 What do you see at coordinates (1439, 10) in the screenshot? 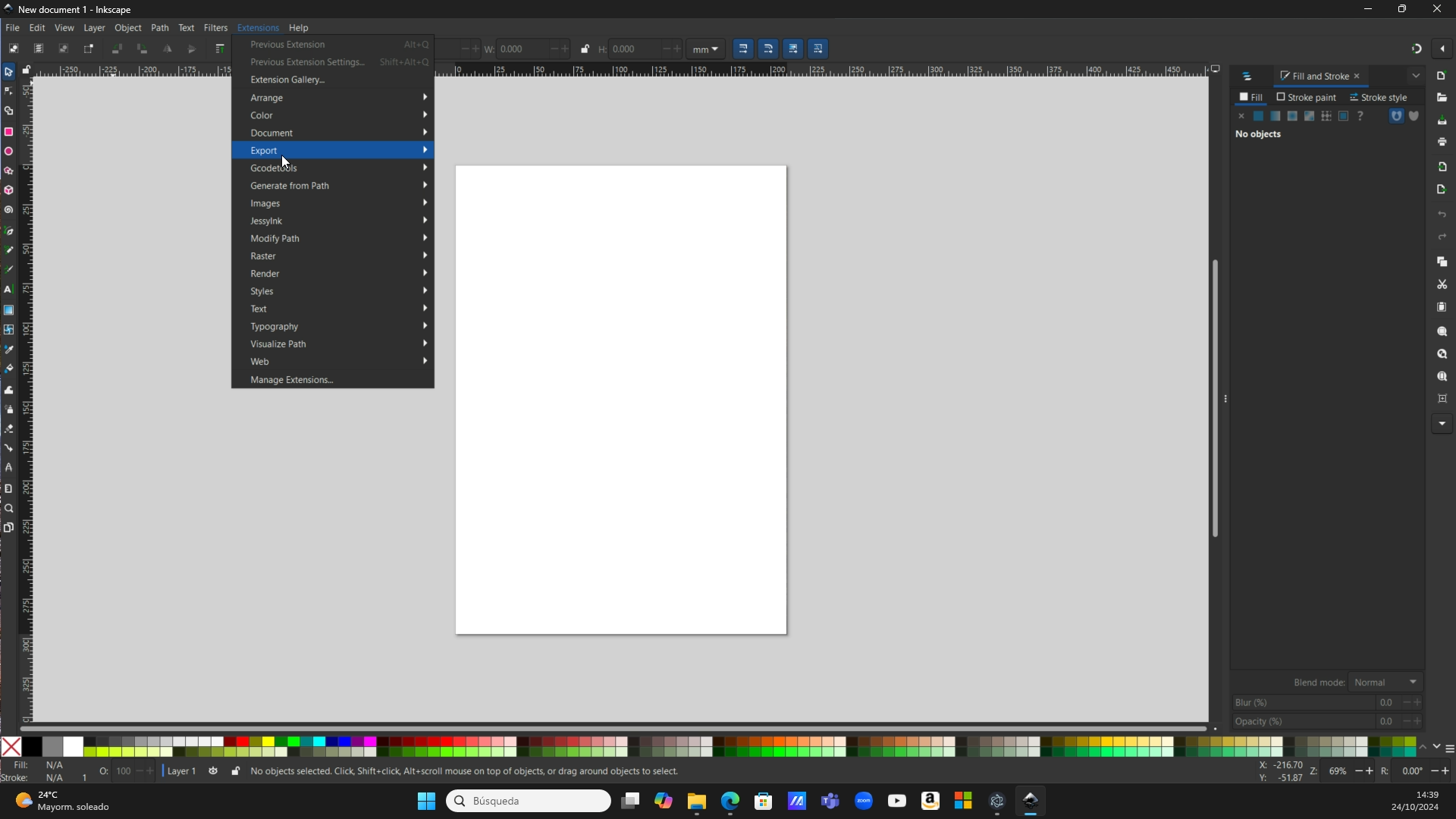
I see `Close` at bounding box center [1439, 10].